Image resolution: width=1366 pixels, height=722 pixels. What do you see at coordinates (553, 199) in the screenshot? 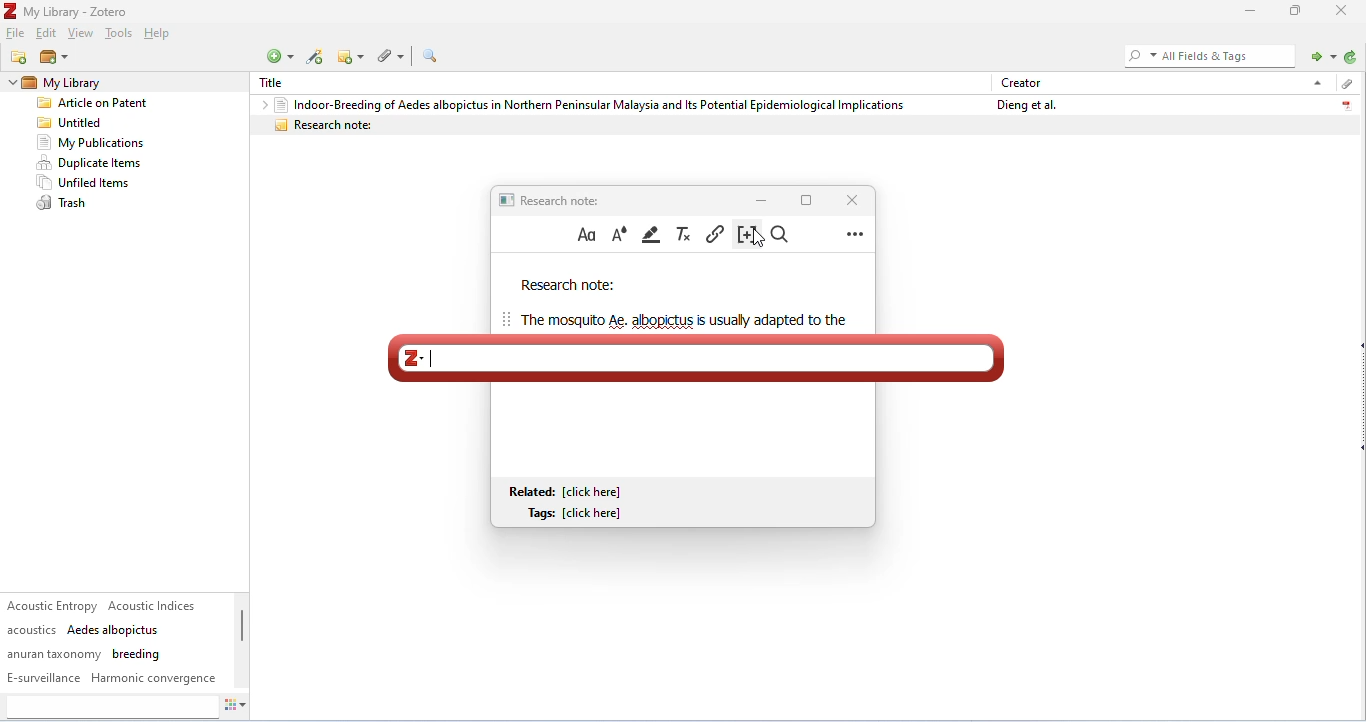
I see `research note` at bounding box center [553, 199].